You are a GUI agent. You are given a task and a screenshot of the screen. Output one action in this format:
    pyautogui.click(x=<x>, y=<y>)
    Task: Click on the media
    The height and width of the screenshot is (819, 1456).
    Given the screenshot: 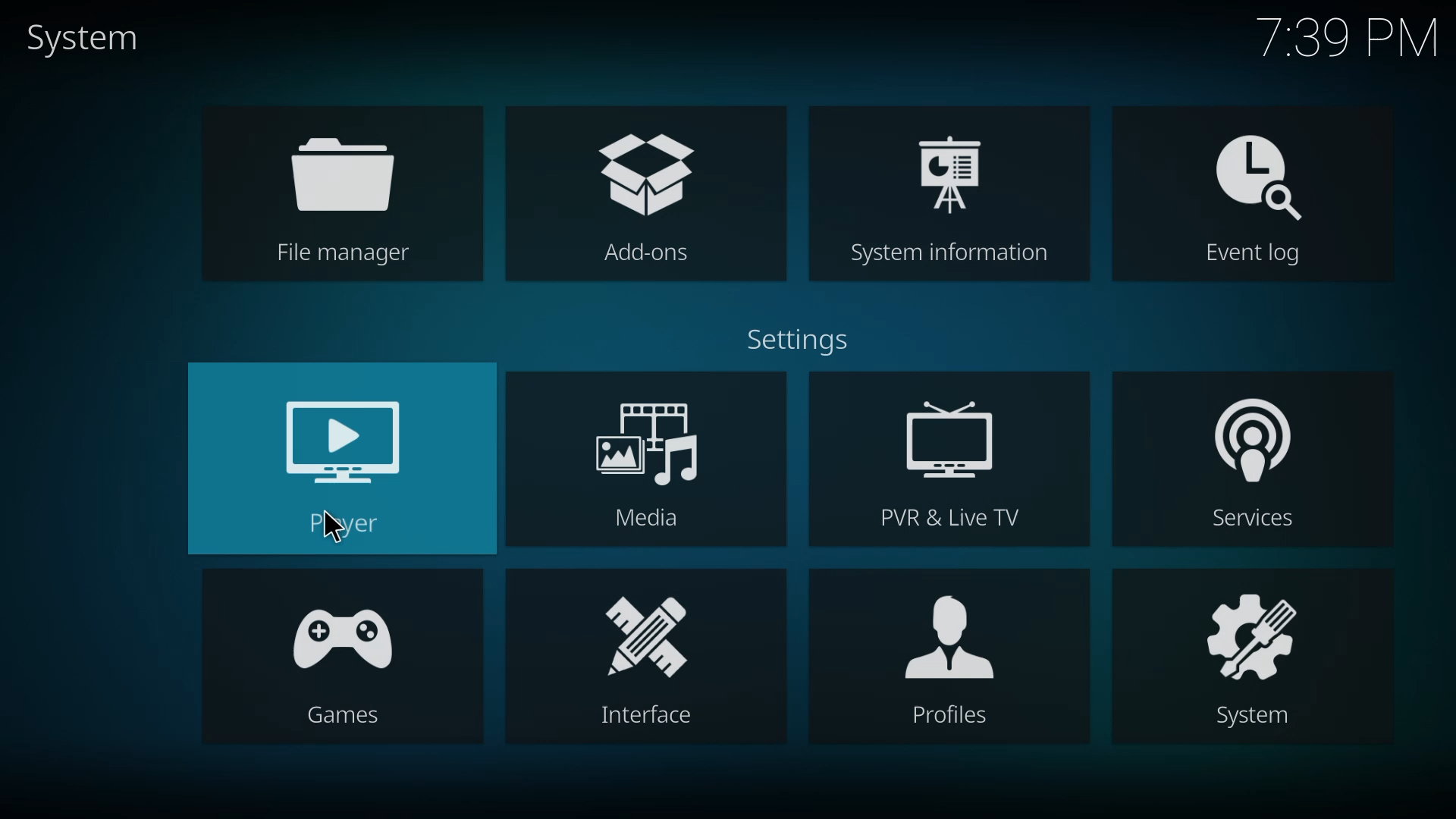 What is the action you would take?
    pyautogui.click(x=652, y=466)
    